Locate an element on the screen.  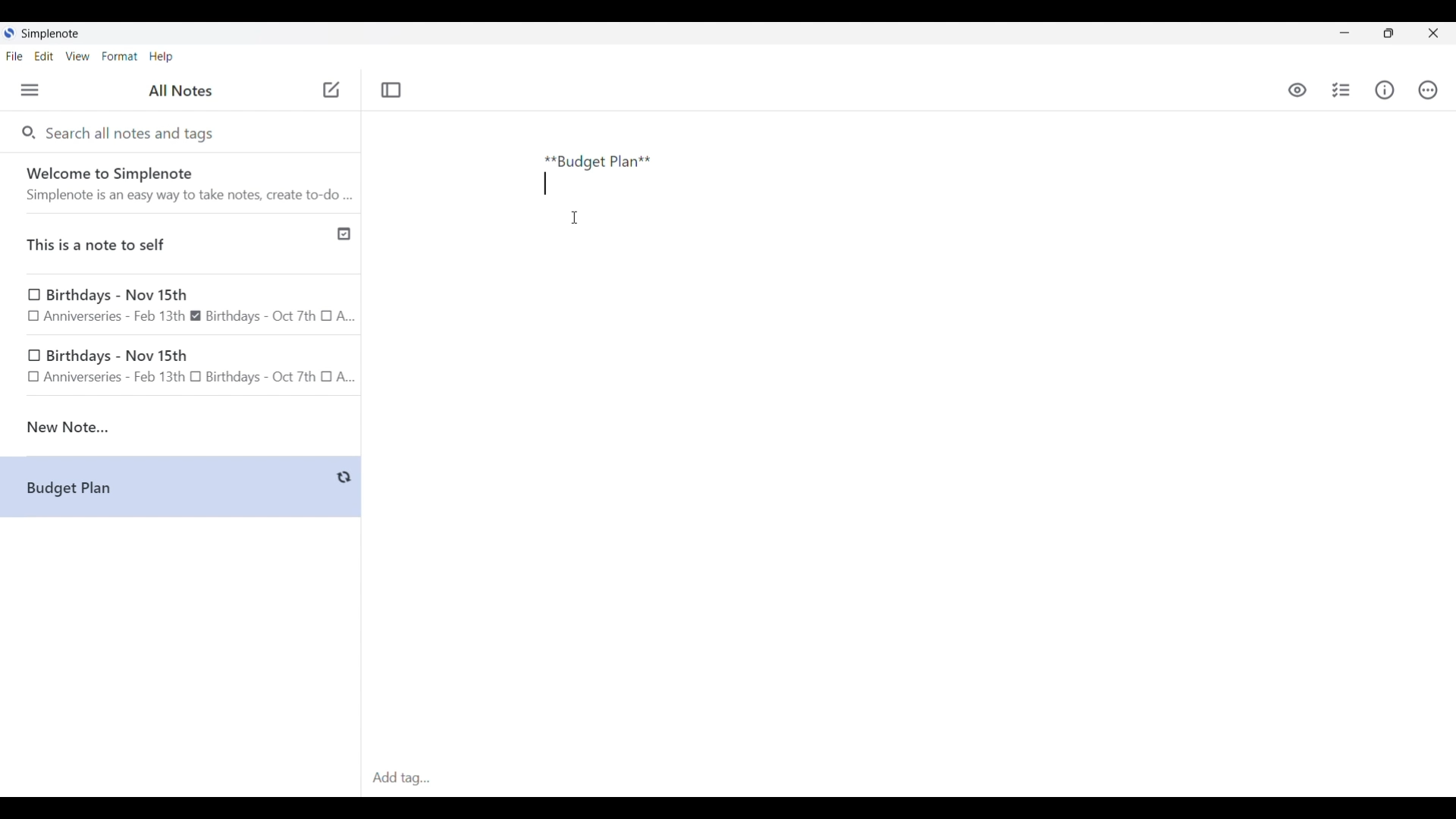
Insert checklist is located at coordinates (1342, 90).